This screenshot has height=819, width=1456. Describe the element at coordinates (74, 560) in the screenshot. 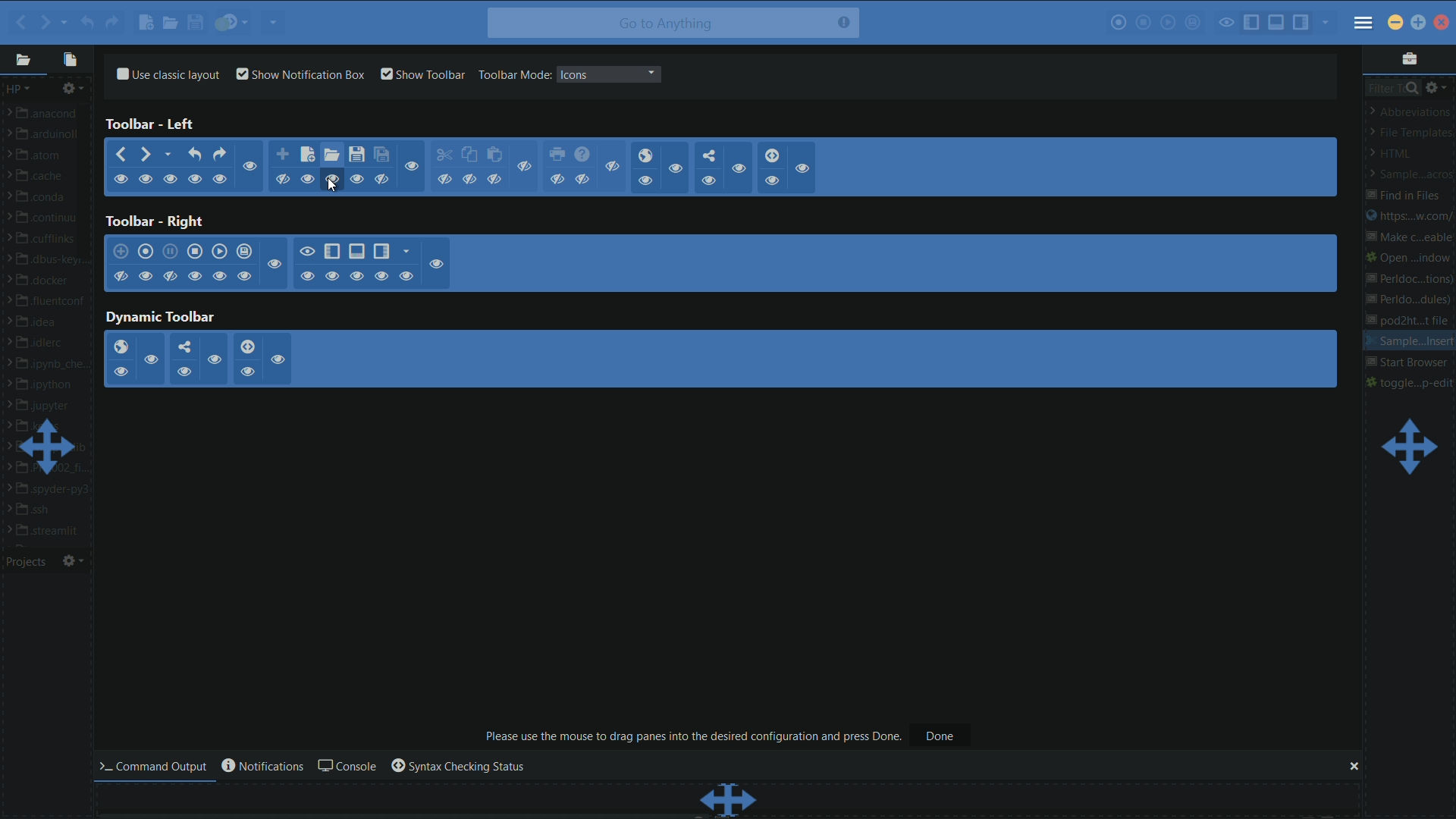

I see `Settings` at that location.